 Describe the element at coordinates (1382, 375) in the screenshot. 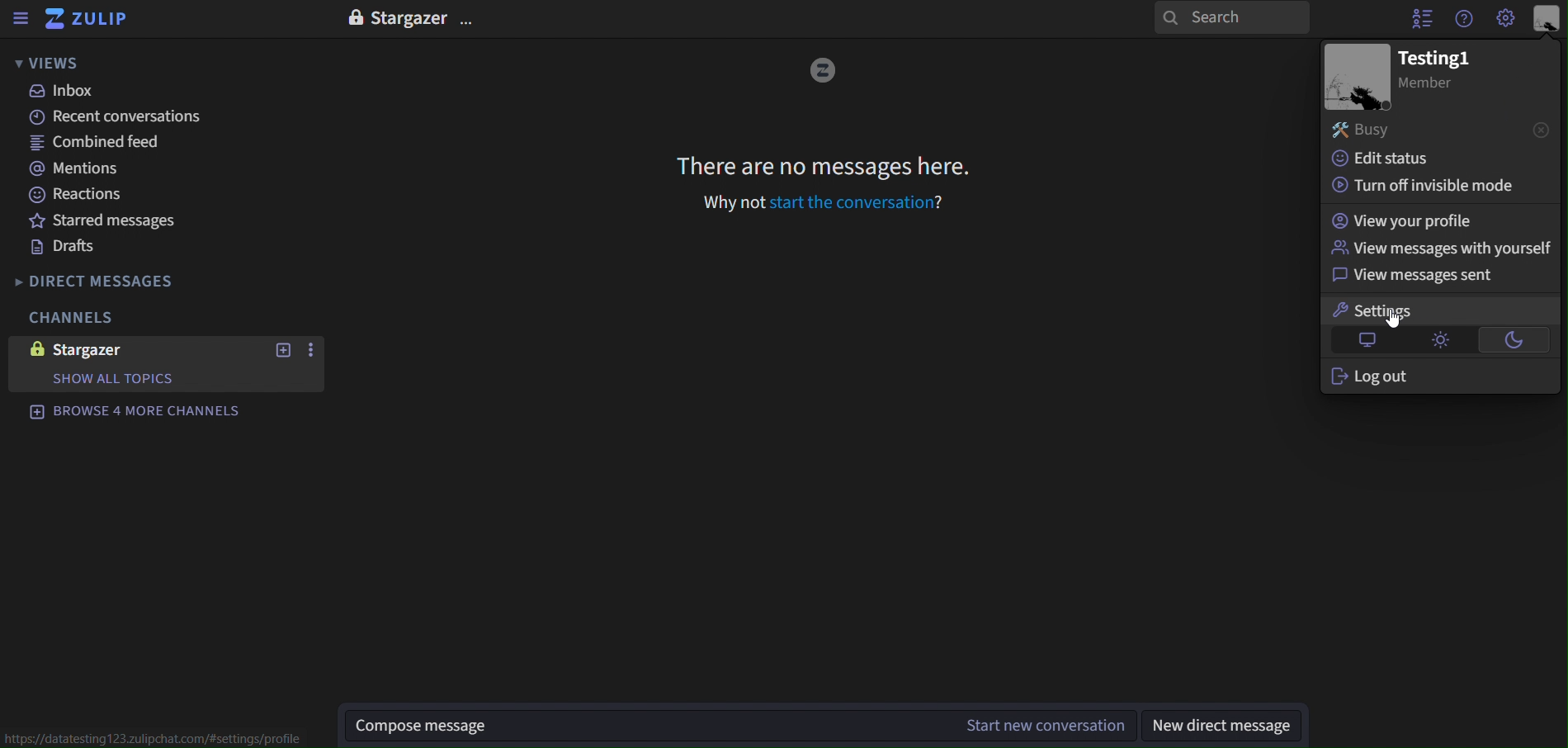

I see `log out` at that location.